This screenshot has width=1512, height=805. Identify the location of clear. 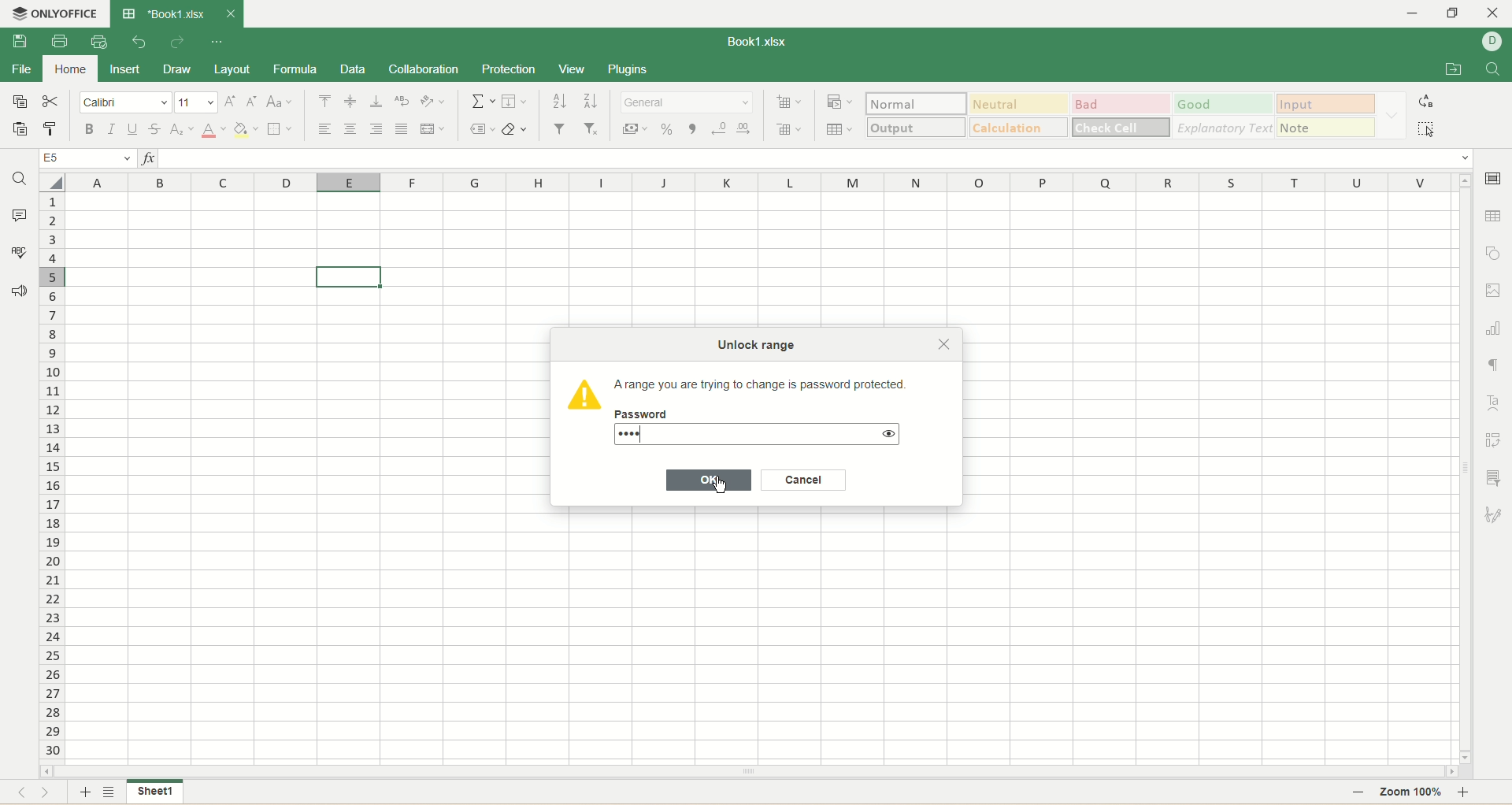
(516, 129).